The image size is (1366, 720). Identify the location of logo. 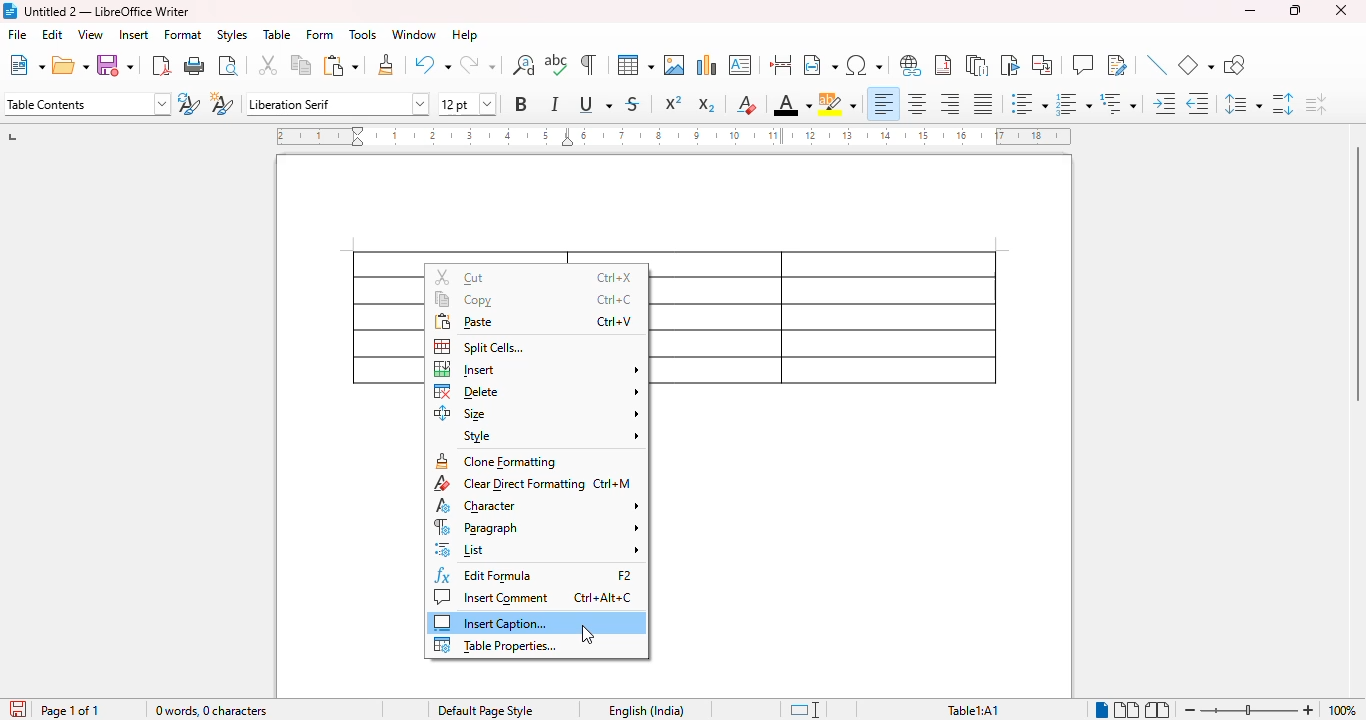
(10, 11).